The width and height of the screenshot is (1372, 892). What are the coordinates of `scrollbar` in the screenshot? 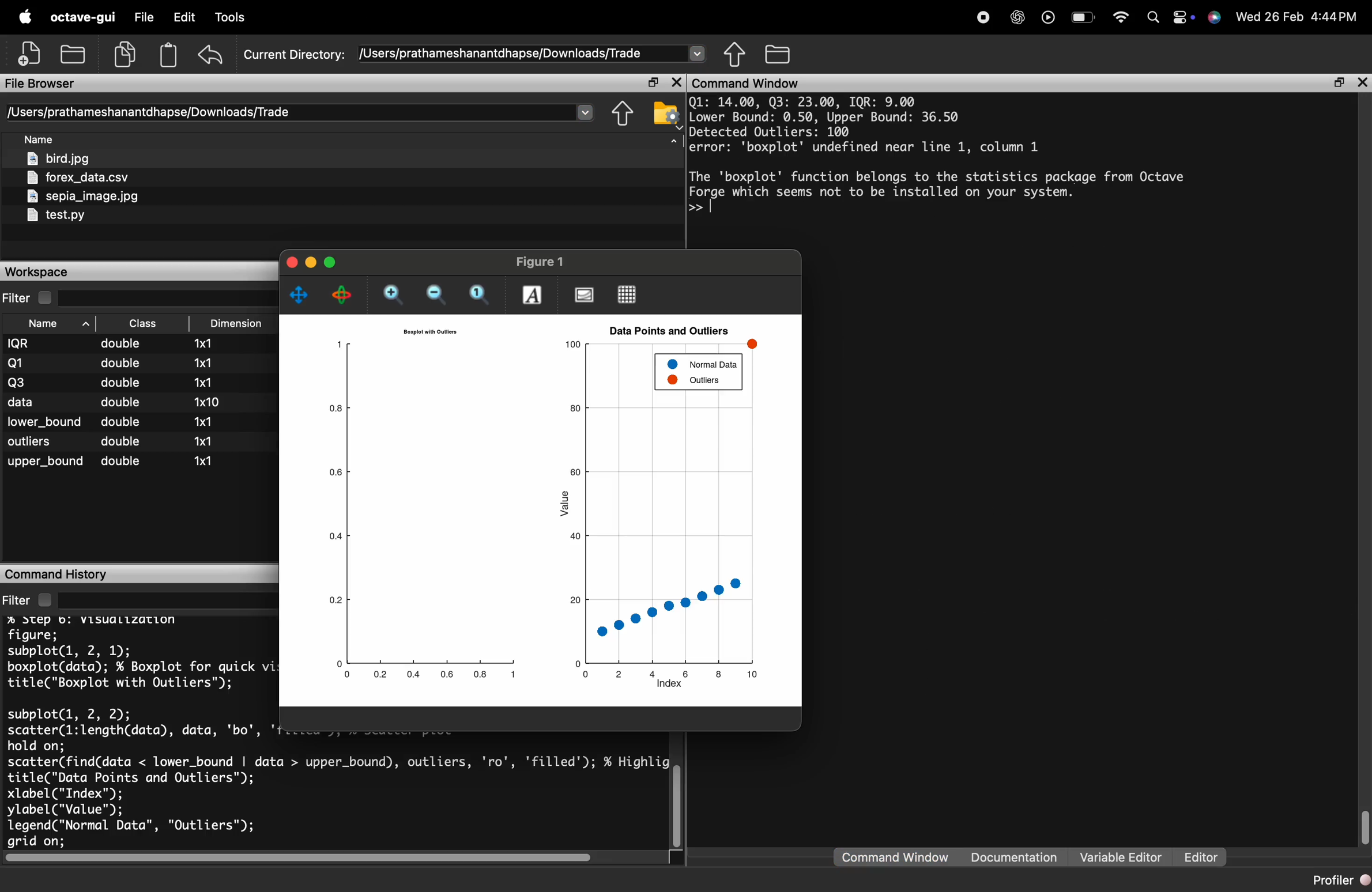 It's located at (678, 805).